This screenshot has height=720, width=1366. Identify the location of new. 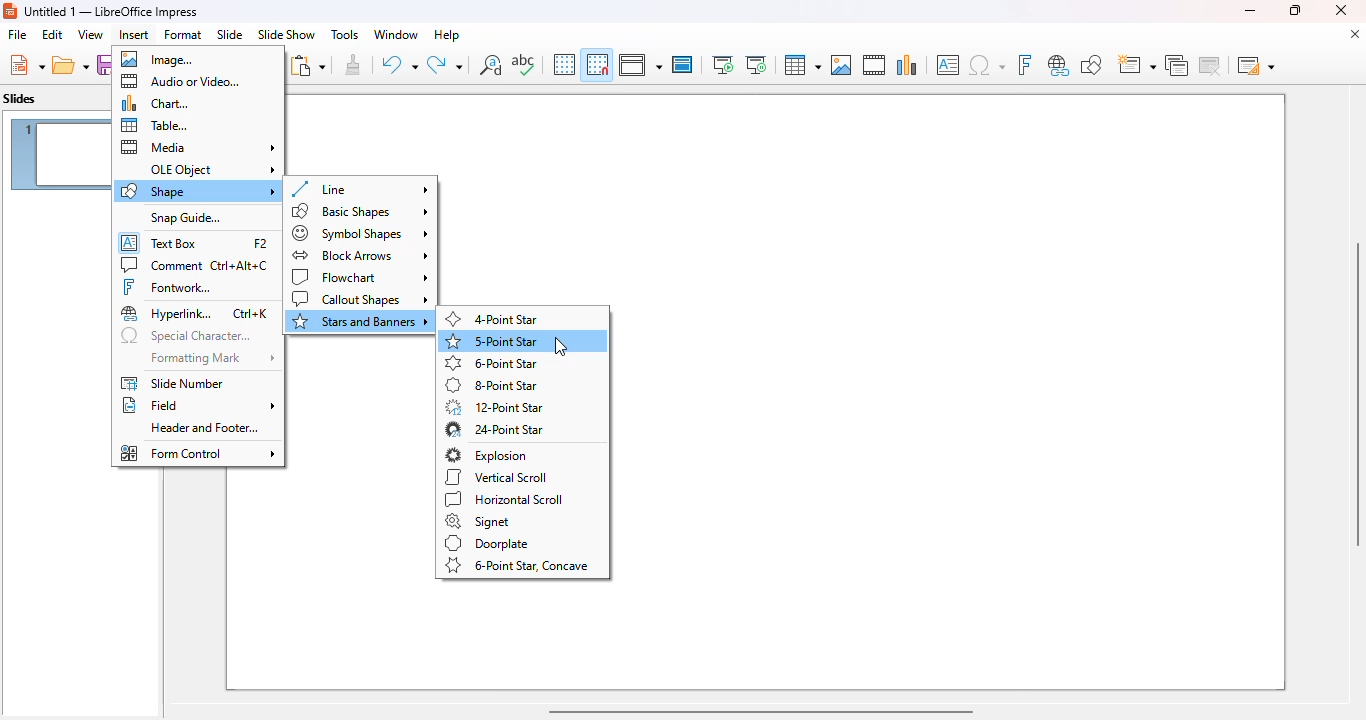
(26, 65).